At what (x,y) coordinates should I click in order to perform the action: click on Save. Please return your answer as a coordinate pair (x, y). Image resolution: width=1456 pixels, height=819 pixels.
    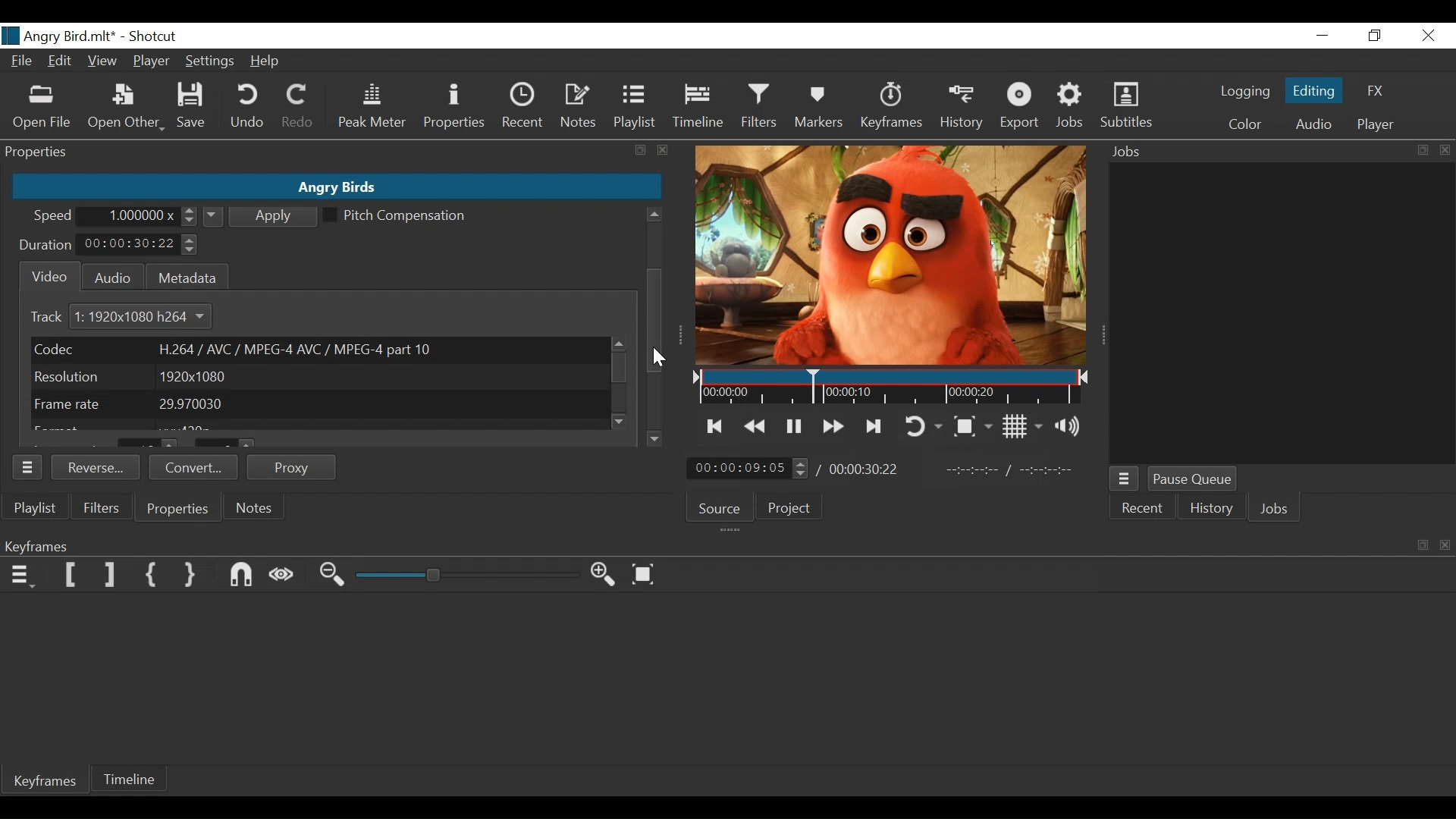
    Looking at the image, I should click on (192, 106).